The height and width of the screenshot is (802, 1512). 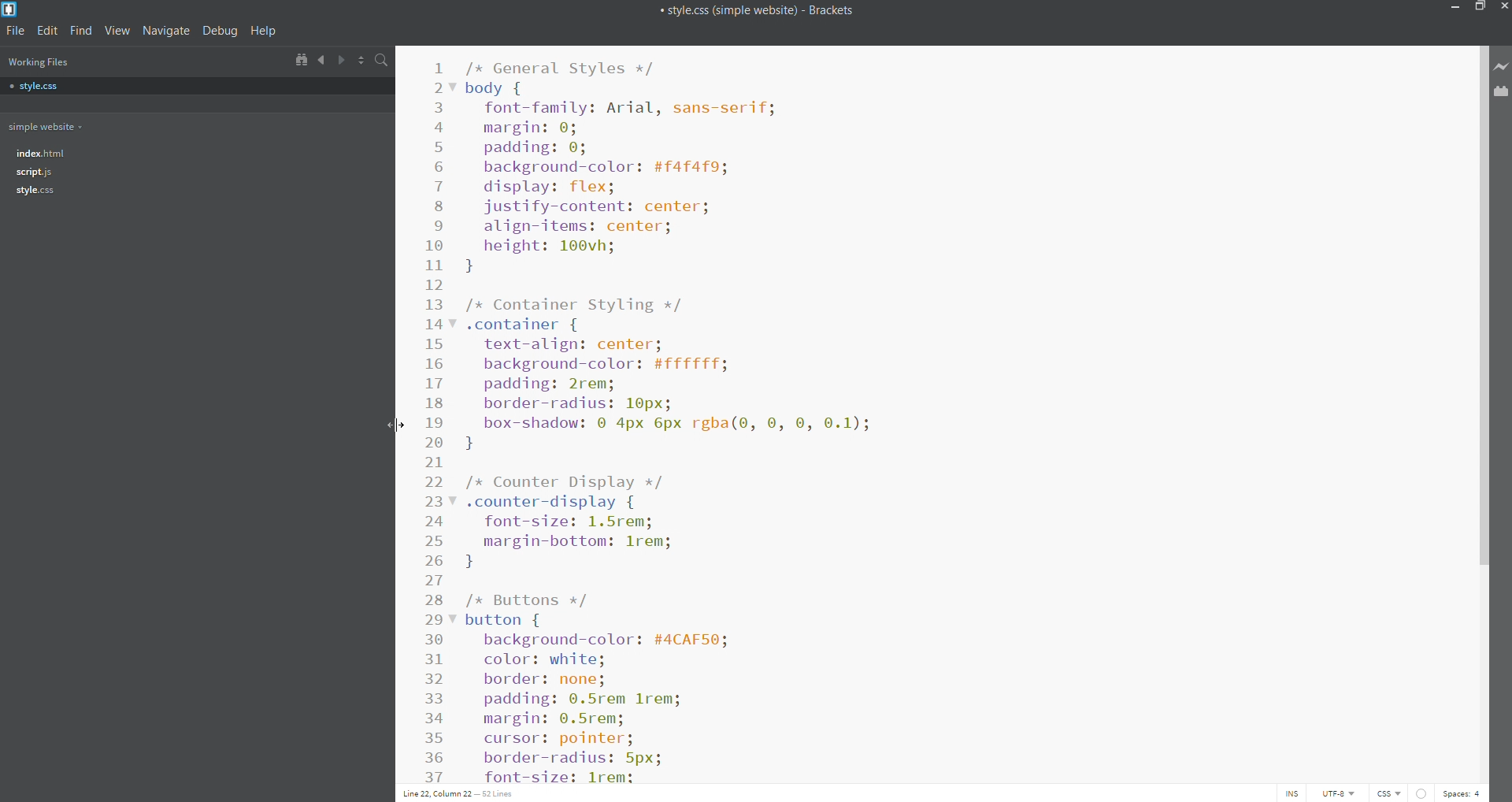 What do you see at coordinates (117, 87) in the screenshot?
I see `style.css` at bounding box center [117, 87].